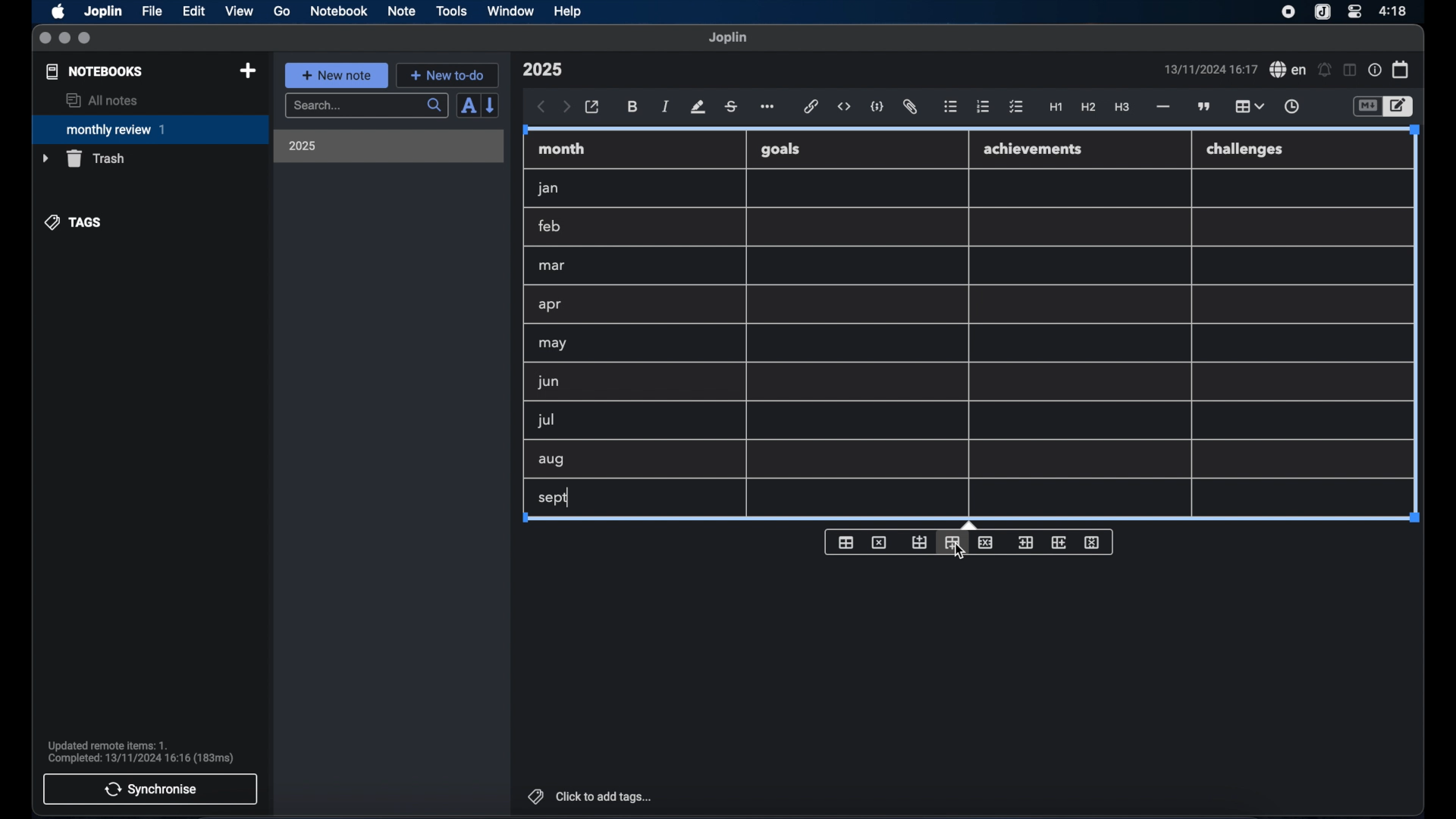 The width and height of the screenshot is (1456, 819). I want to click on new note, so click(336, 75).